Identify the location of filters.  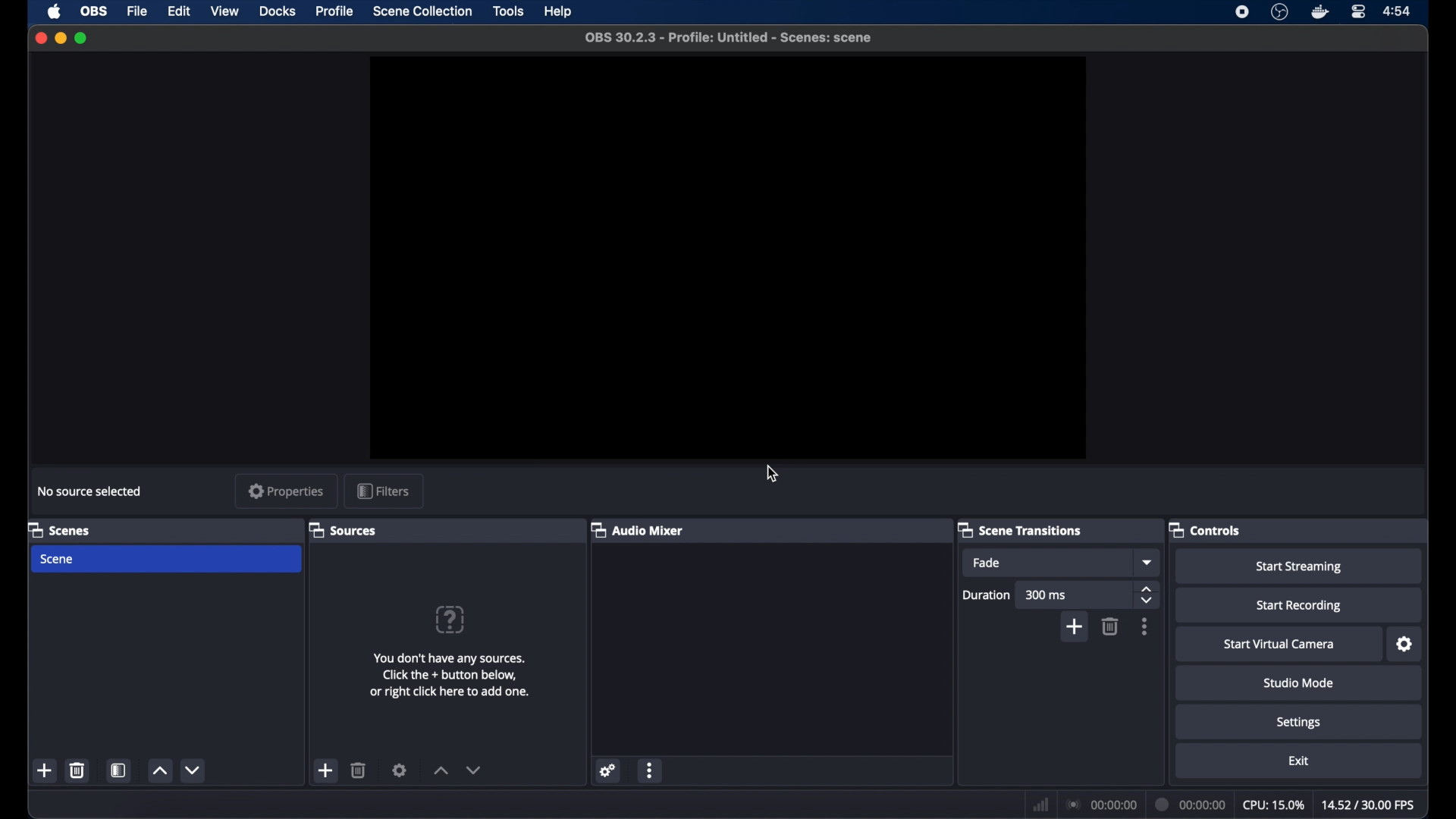
(385, 491).